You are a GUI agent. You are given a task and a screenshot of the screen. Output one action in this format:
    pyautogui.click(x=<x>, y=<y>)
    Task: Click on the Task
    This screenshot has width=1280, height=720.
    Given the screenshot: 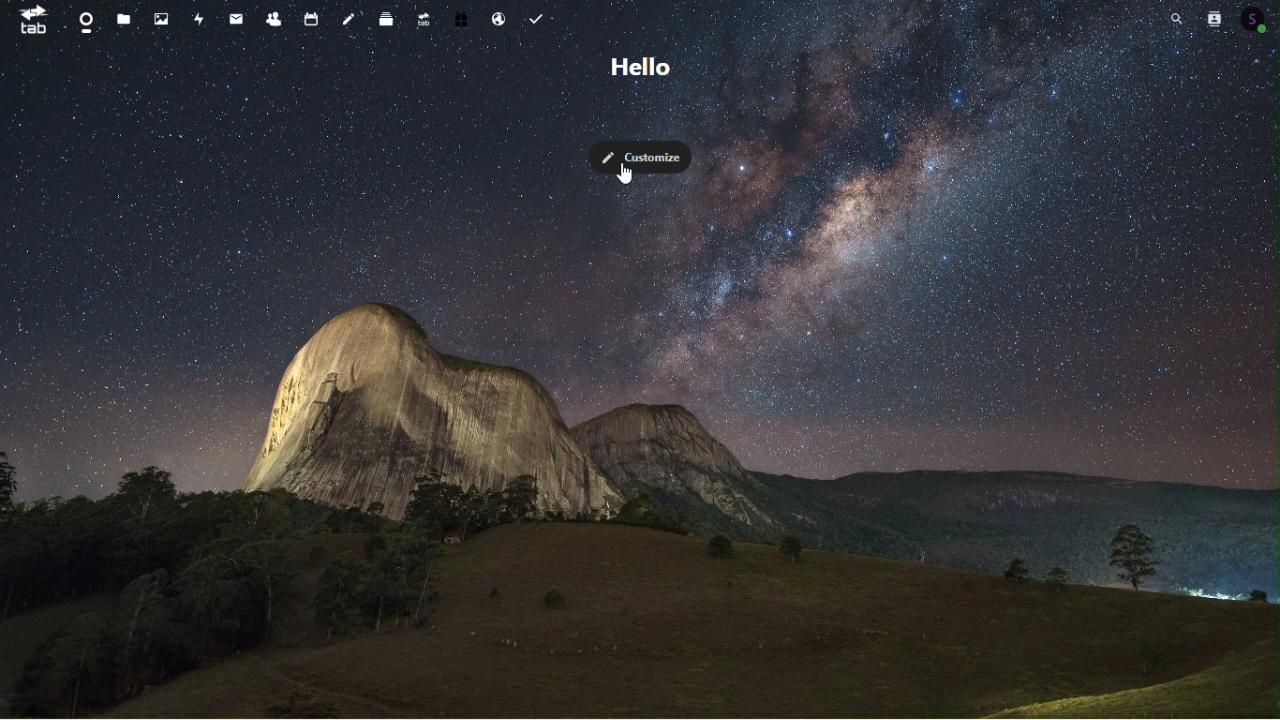 What is the action you would take?
    pyautogui.click(x=535, y=17)
    